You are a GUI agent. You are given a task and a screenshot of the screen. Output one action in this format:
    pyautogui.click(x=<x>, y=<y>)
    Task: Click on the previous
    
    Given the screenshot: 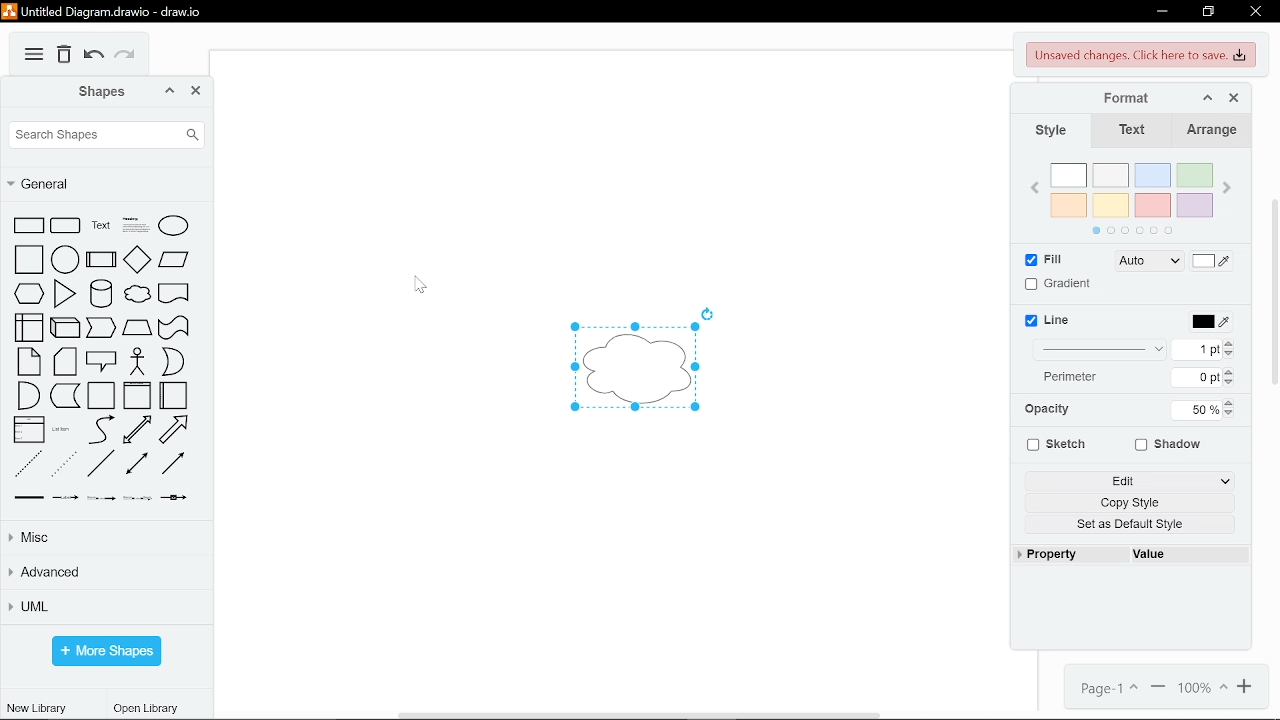 What is the action you would take?
    pyautogui.click(x=1034, y=190)
    